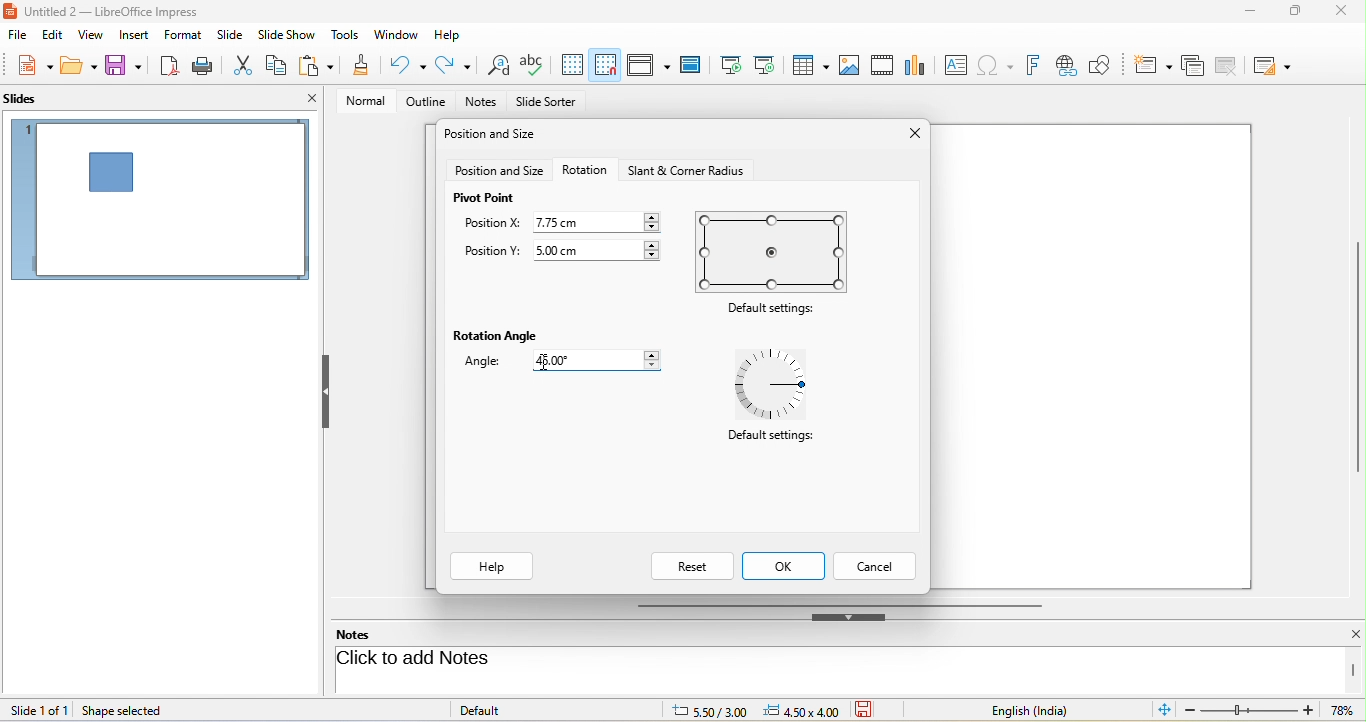 Image resolution: width=1366 pixels, height=722 pixels. Describe the element at coordinates (186, 37) in the screenshot. I see `format` at that location.